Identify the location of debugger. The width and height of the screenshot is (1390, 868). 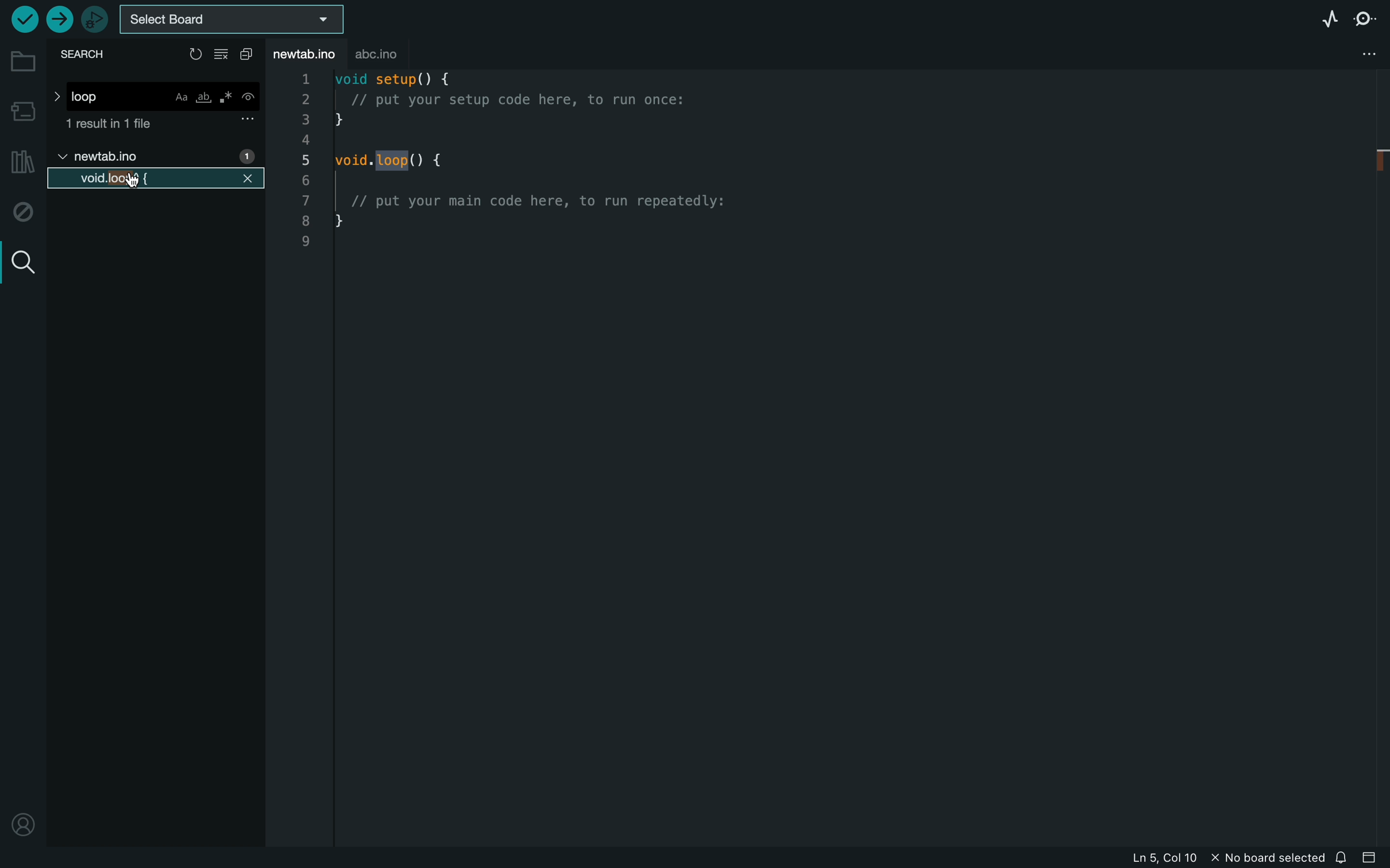
(94, 19).